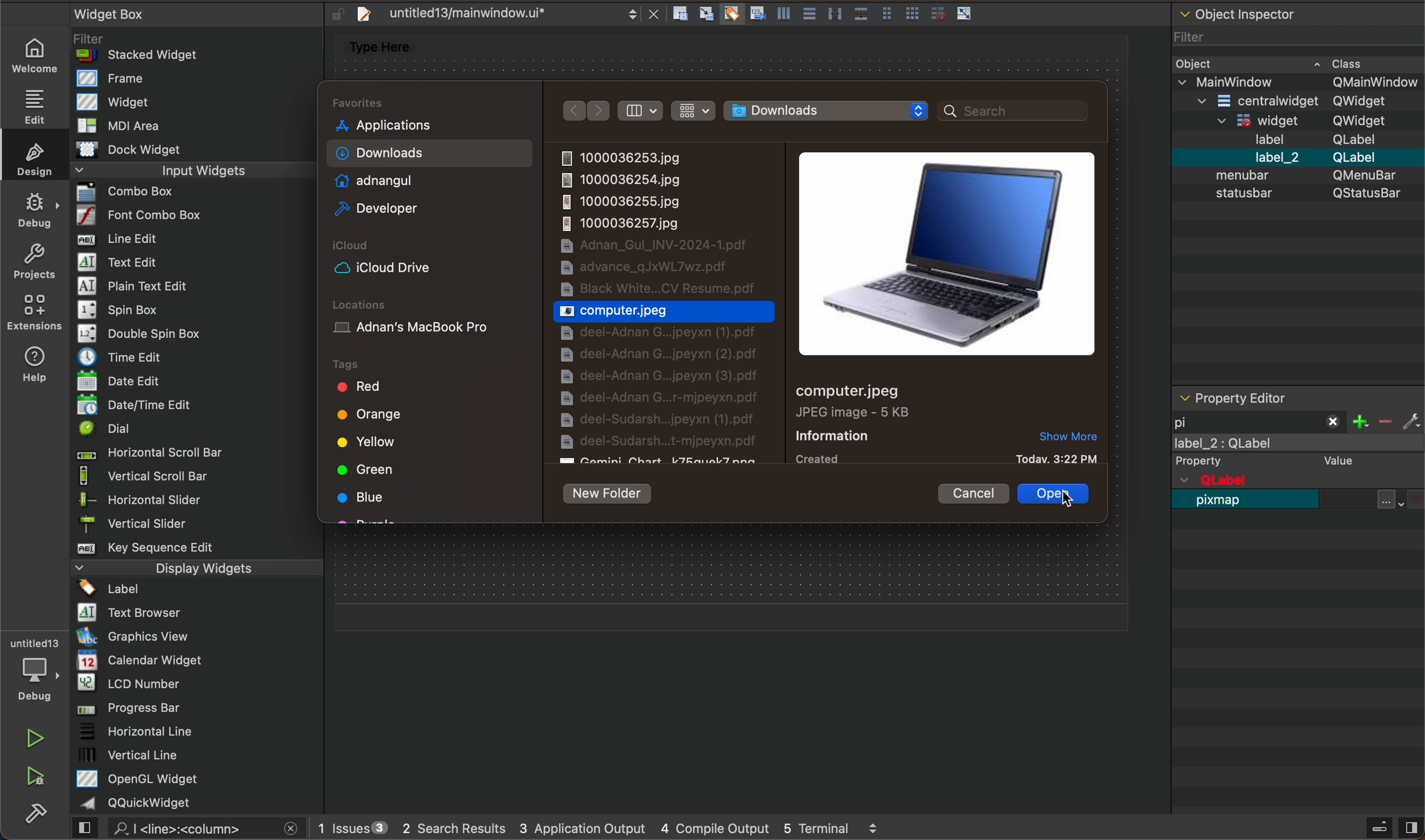  What do you see at coordinates (1402, 499) in the screenshot?
I see `file and resources select` at bounding box center [1402, 499].